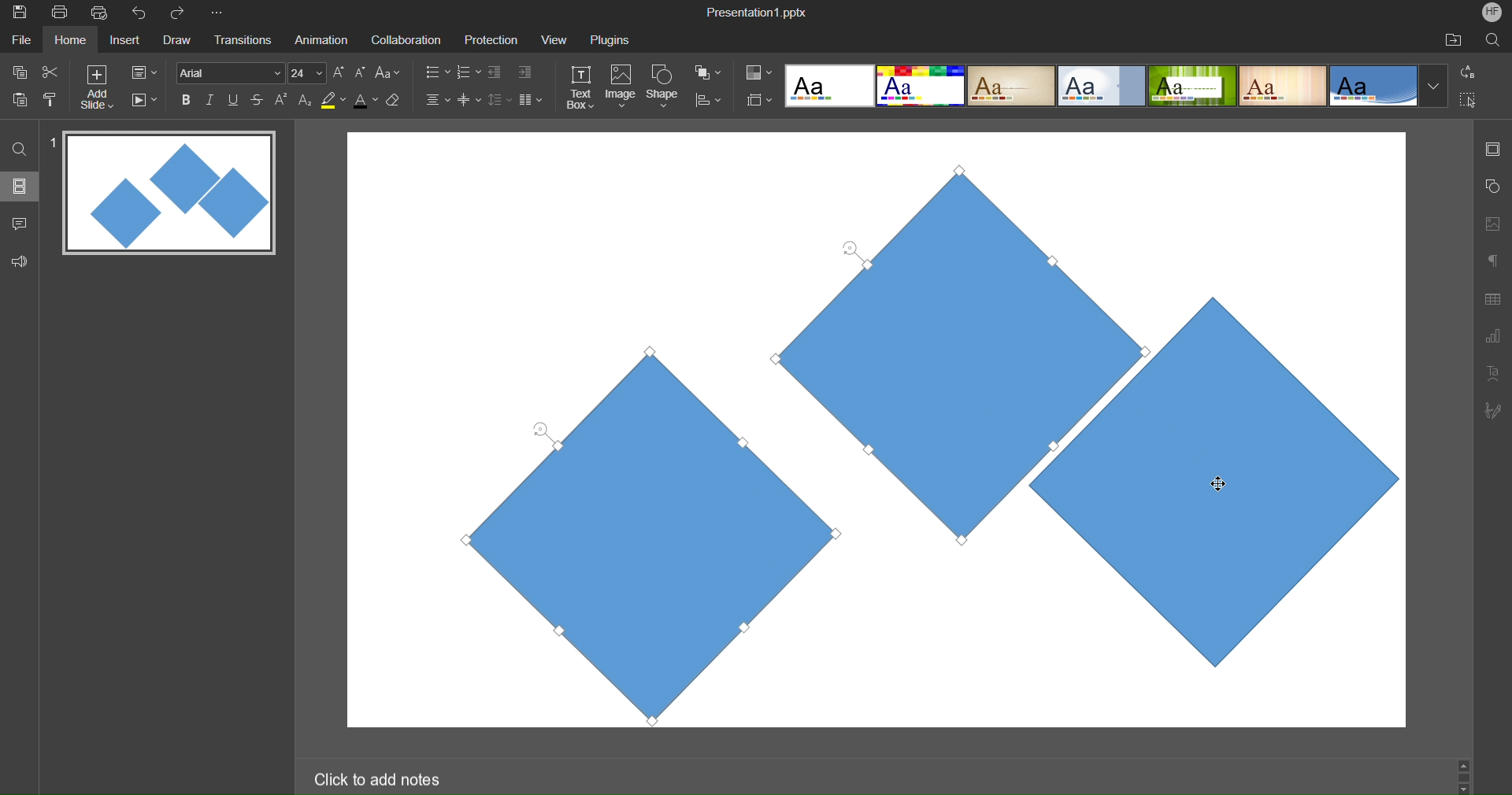  What do you see at coordinates (1453, 39) in the screenshot?
I see `open file location` at bounding box center [1453, 39].